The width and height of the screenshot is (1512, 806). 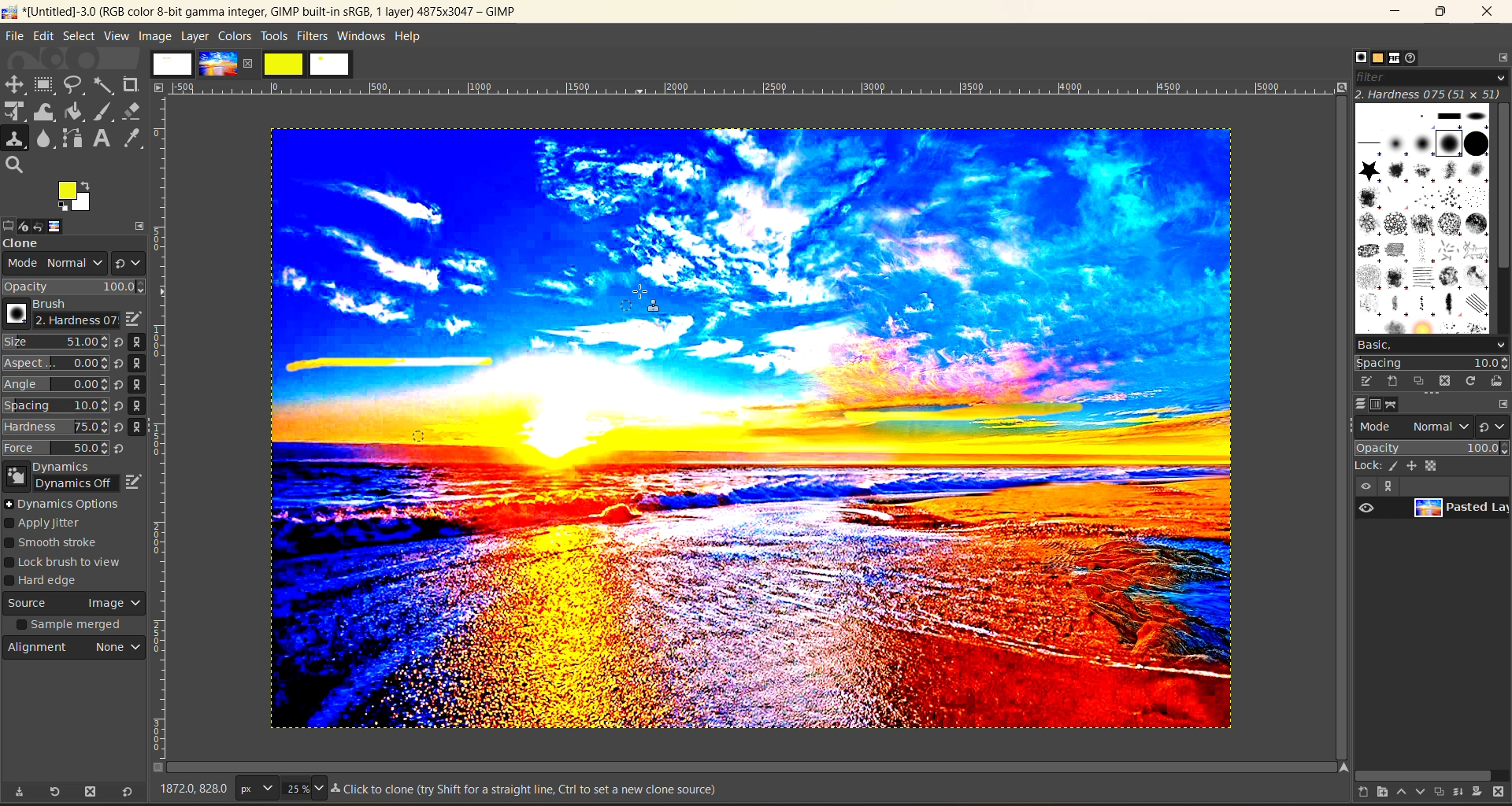 I want to click on Size 51.00, so click(x=54, y=343).